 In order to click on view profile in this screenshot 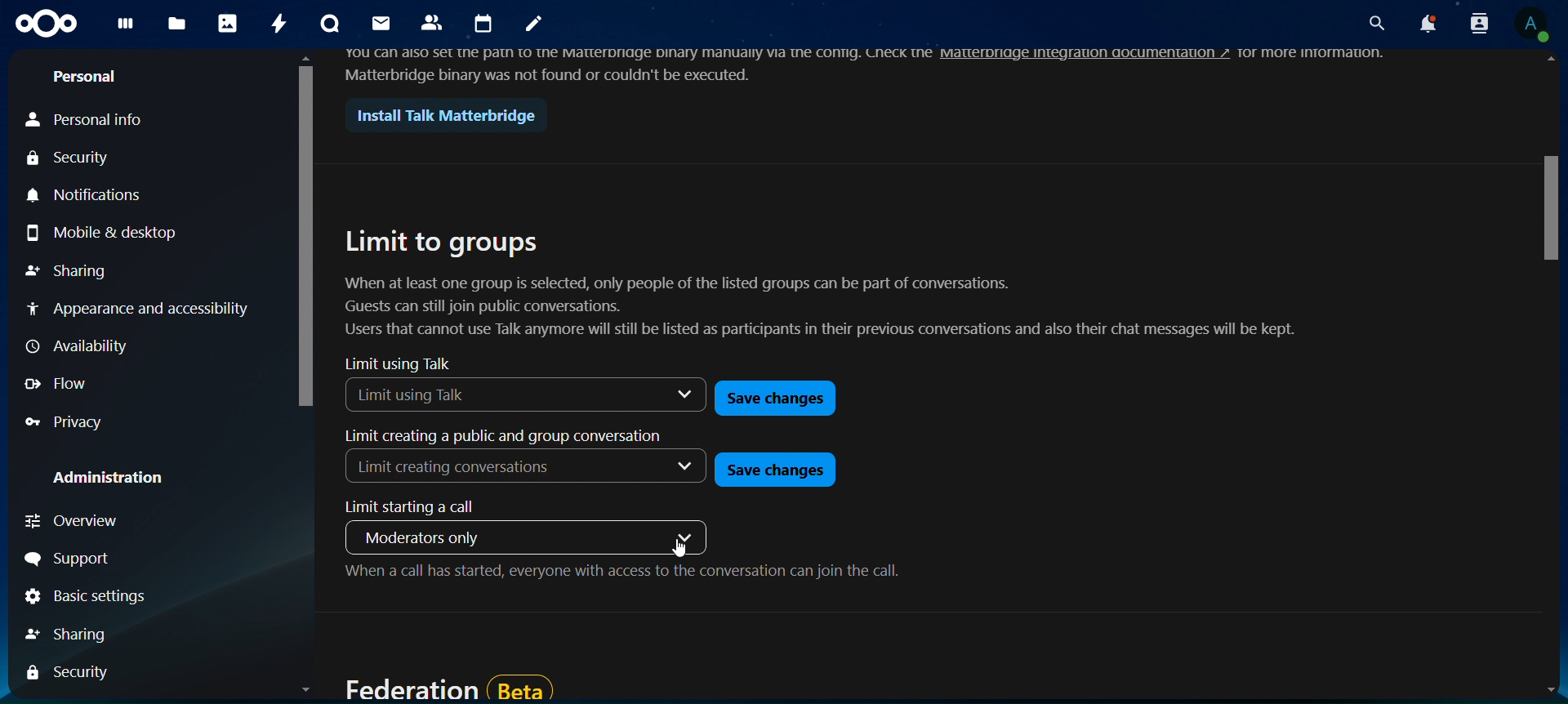, I will do `click(1530, 24)`.